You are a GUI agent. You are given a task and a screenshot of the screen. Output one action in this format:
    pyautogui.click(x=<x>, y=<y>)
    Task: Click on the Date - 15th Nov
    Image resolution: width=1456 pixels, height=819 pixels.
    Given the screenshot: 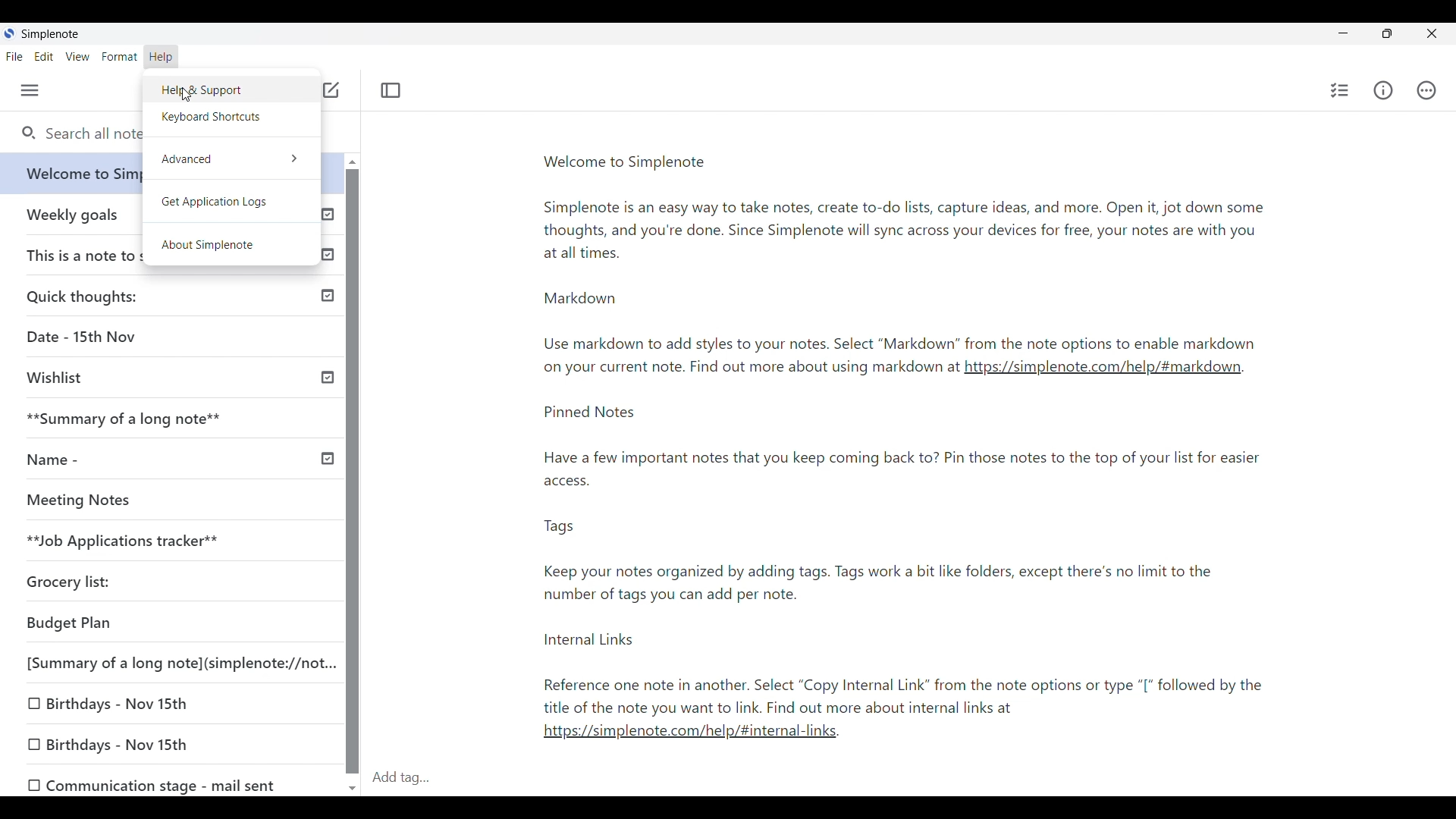 What is the action you would take?
    pyautogui.click(x=84, y=335)
    